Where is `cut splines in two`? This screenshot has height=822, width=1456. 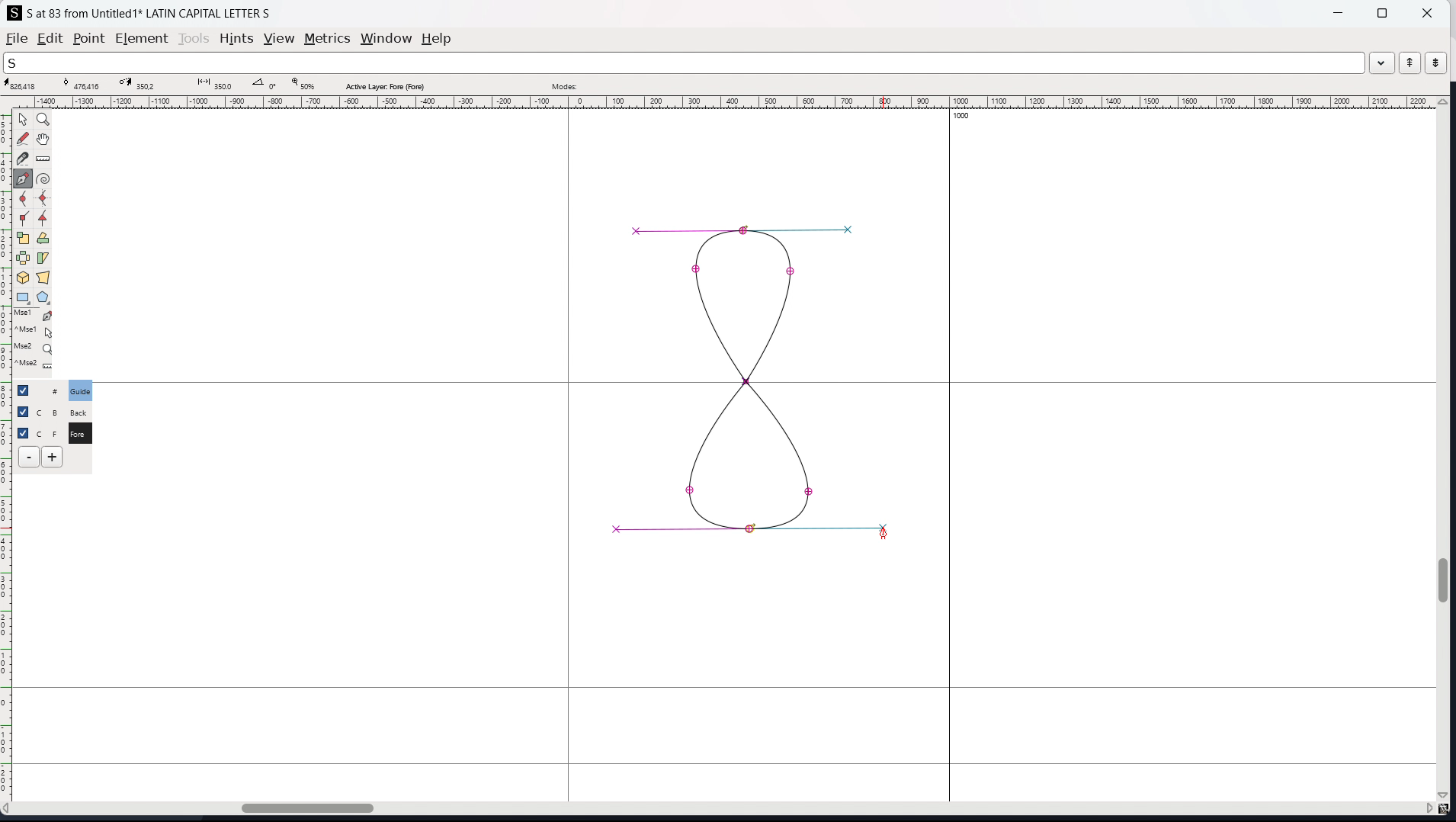 cut splines in two is located at coordinates (23, 159).